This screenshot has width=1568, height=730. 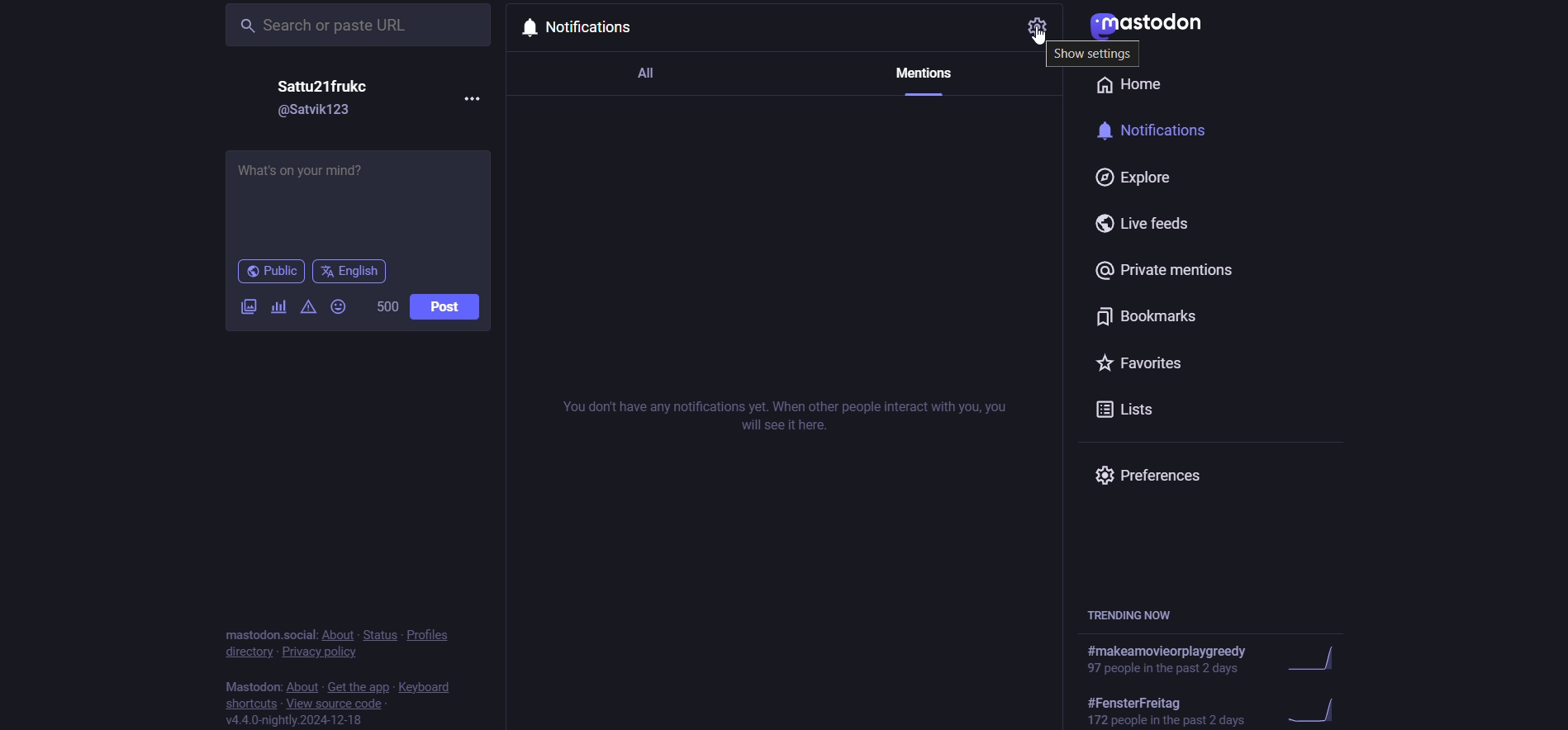 I want to click on Live feeds, so click(x=1143, y=223).